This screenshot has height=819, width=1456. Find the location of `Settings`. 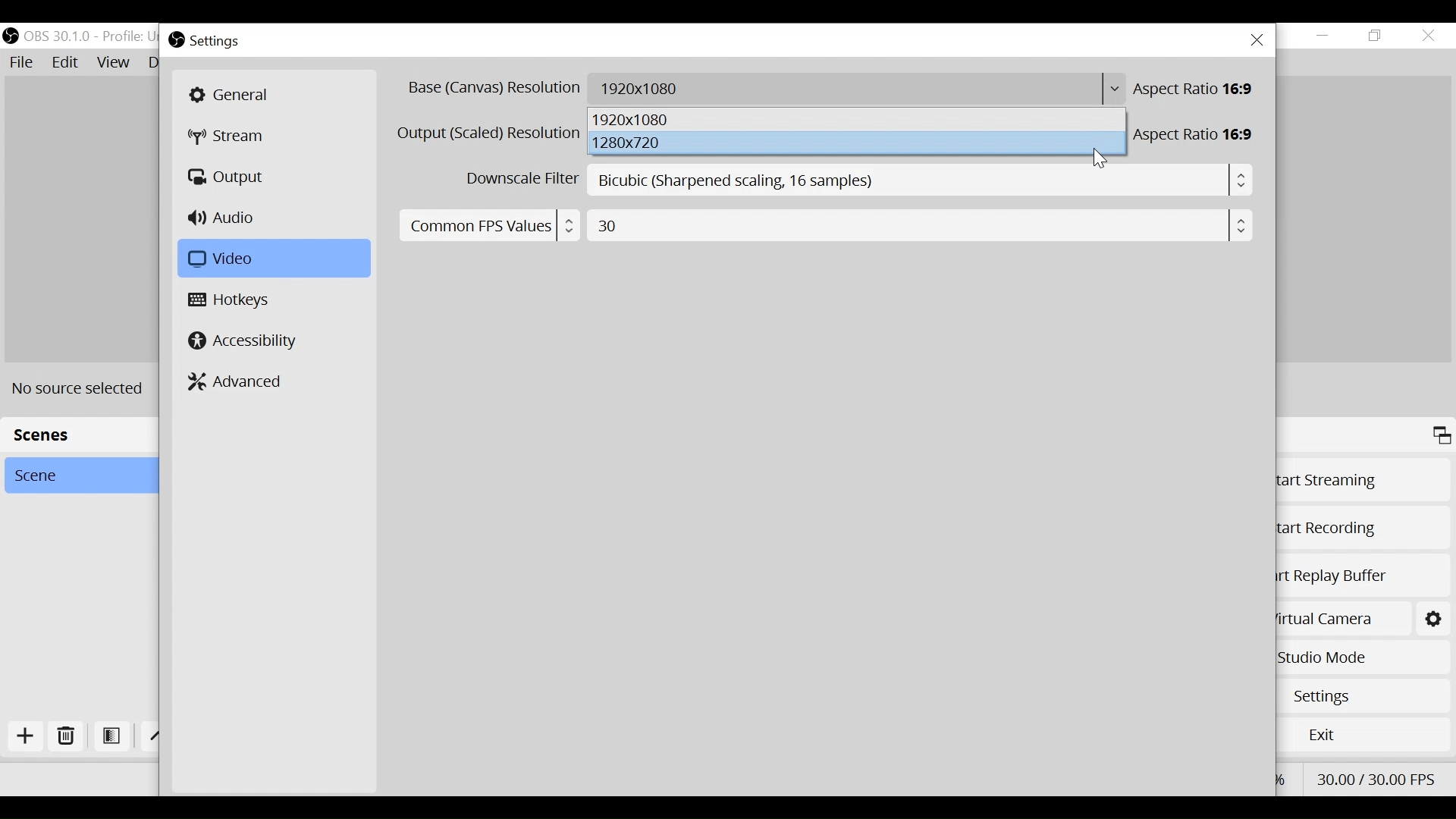

Settings is located at coordinates (216, 42).